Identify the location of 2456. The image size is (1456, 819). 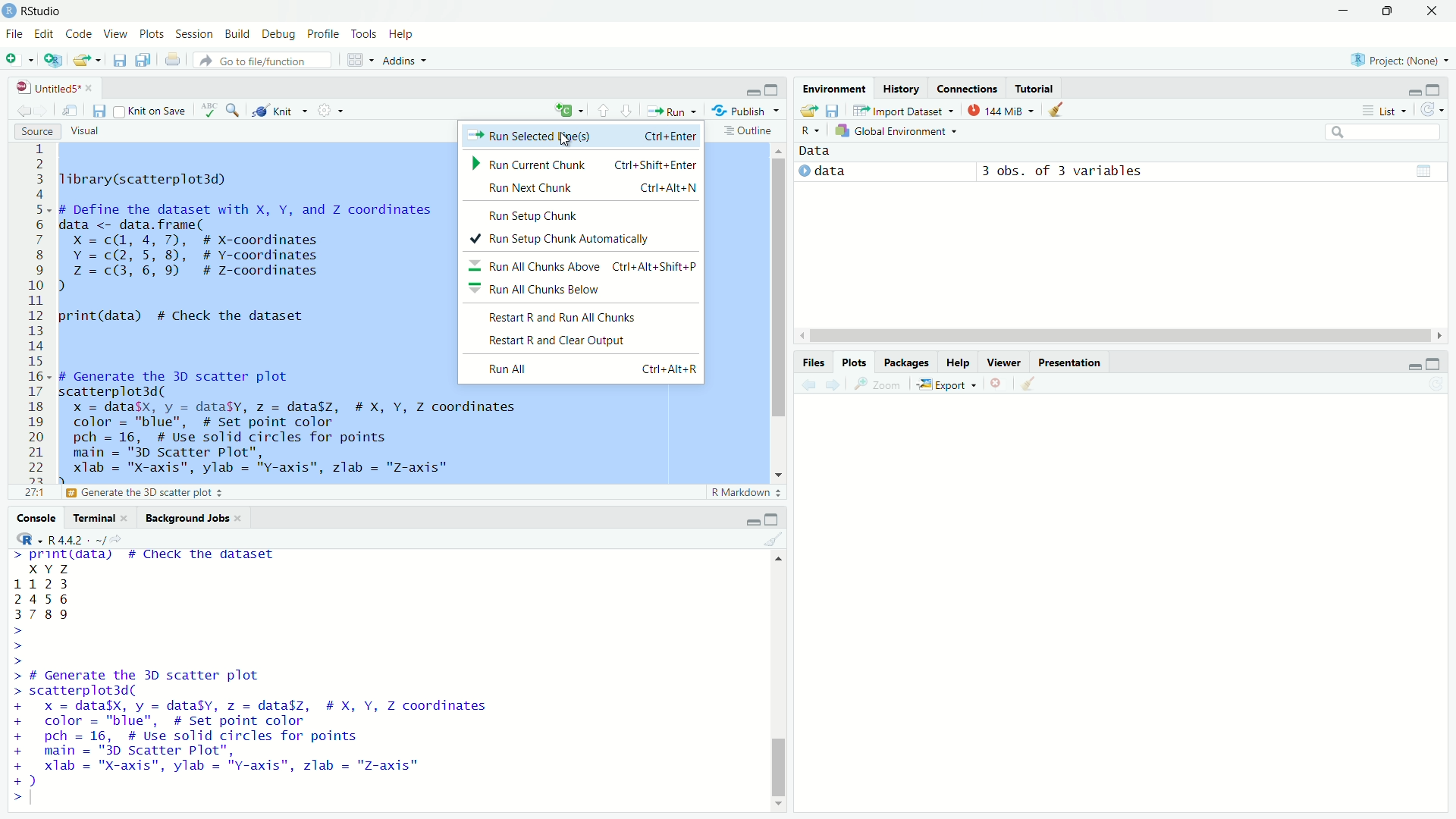
(42, 598).